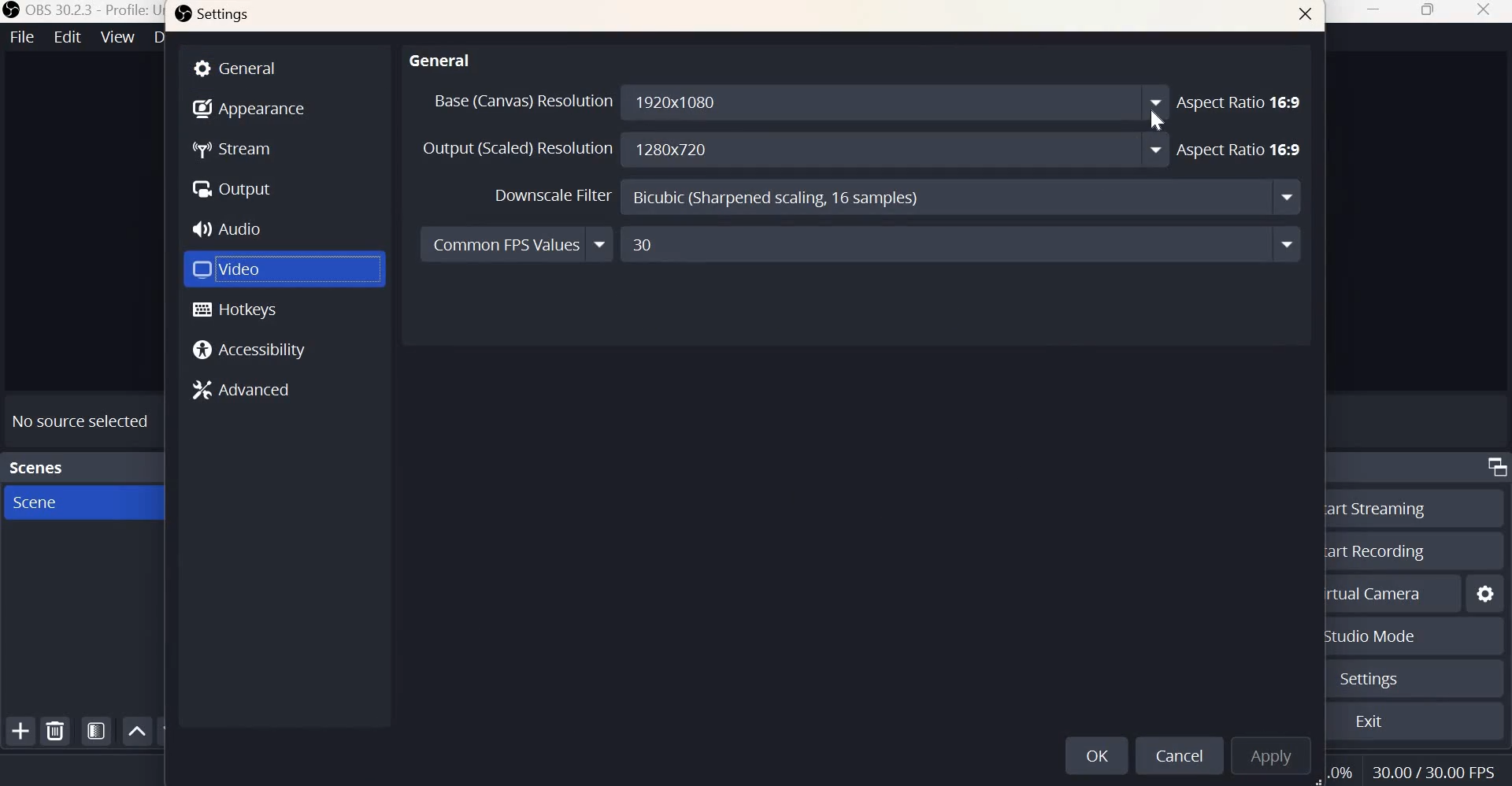 This screenshot has width=1512, height=786. What do you see at coordinates (82, 417) in the screenshot?
I see `No source selected` at bounding box center [82, 417].